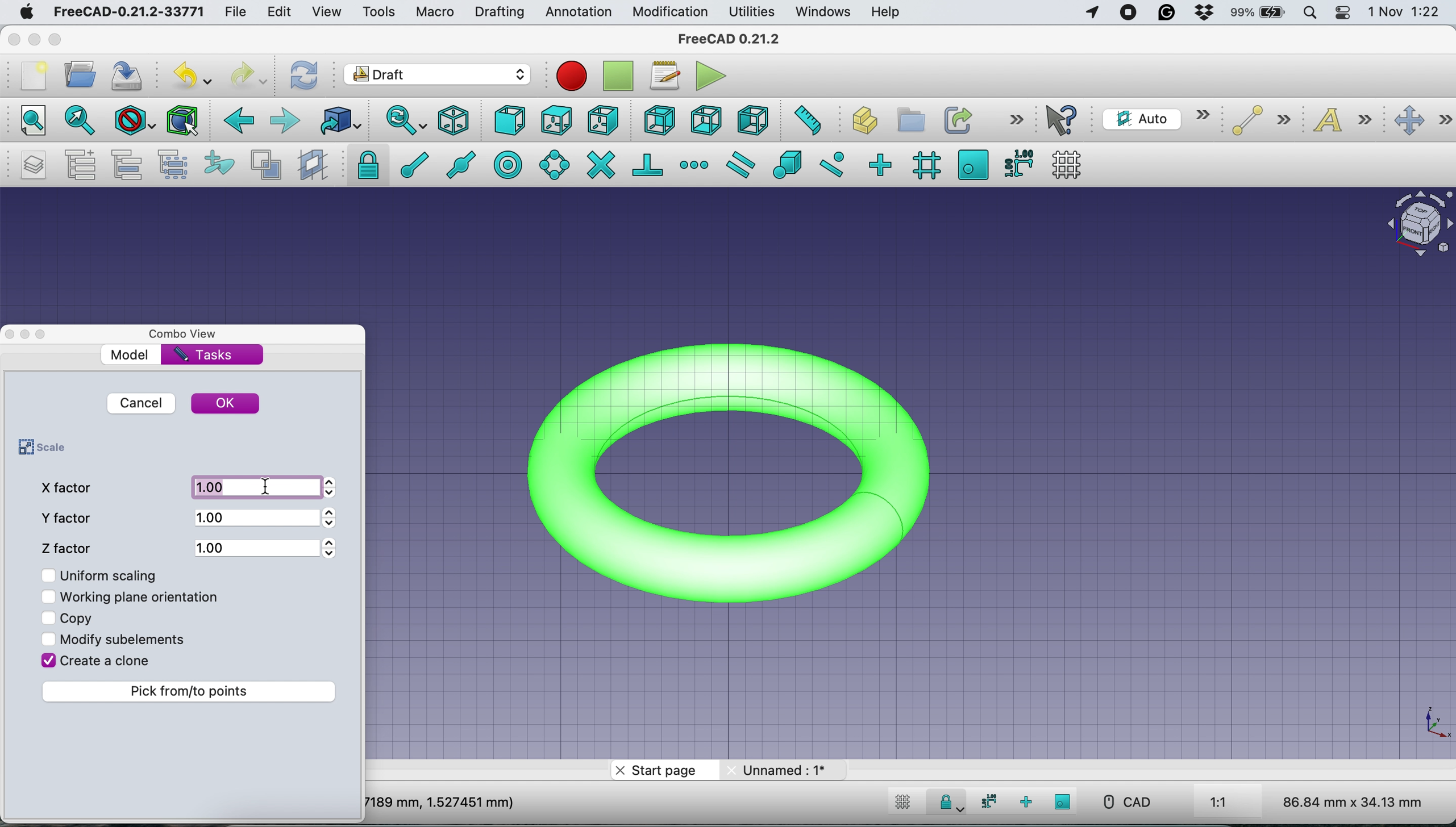 The image size is (1456, 827). I want to click on open, so click(80, 77).